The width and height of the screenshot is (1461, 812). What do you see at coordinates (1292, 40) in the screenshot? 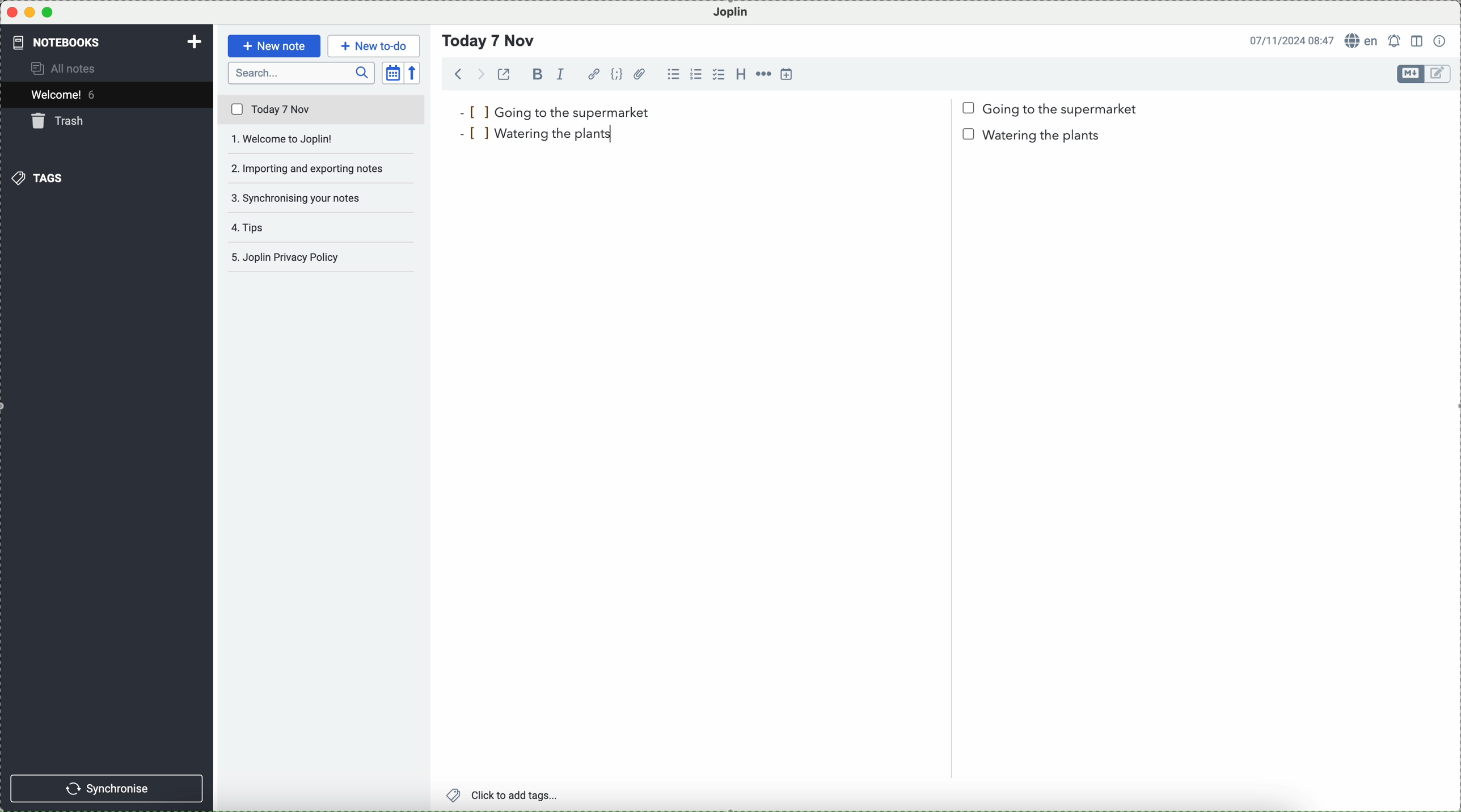
I see `date and hour` at bounding box center [1292, 40].